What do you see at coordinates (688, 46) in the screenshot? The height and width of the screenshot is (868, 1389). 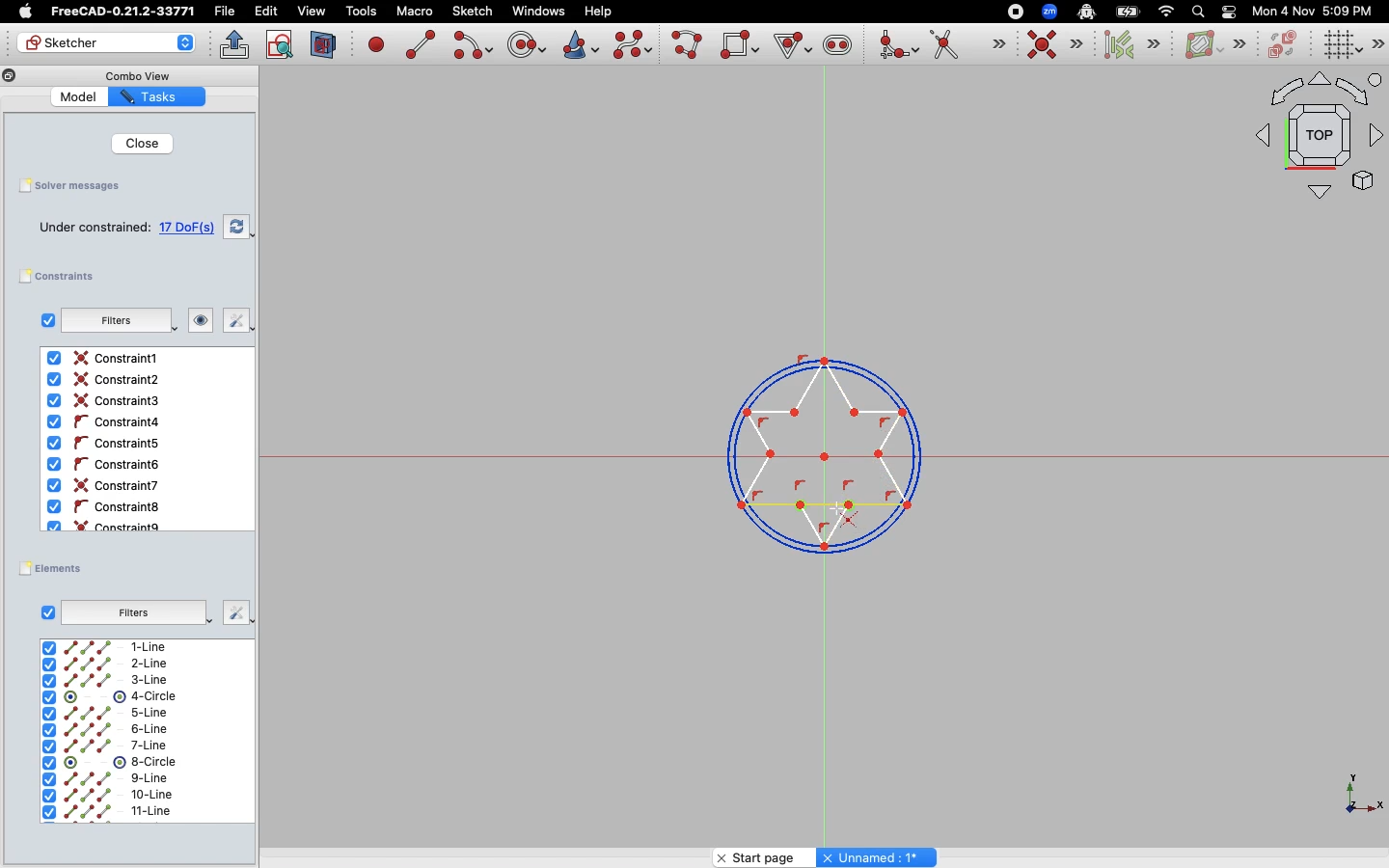 I see `Create poly line` at bounding box center [688, 46].